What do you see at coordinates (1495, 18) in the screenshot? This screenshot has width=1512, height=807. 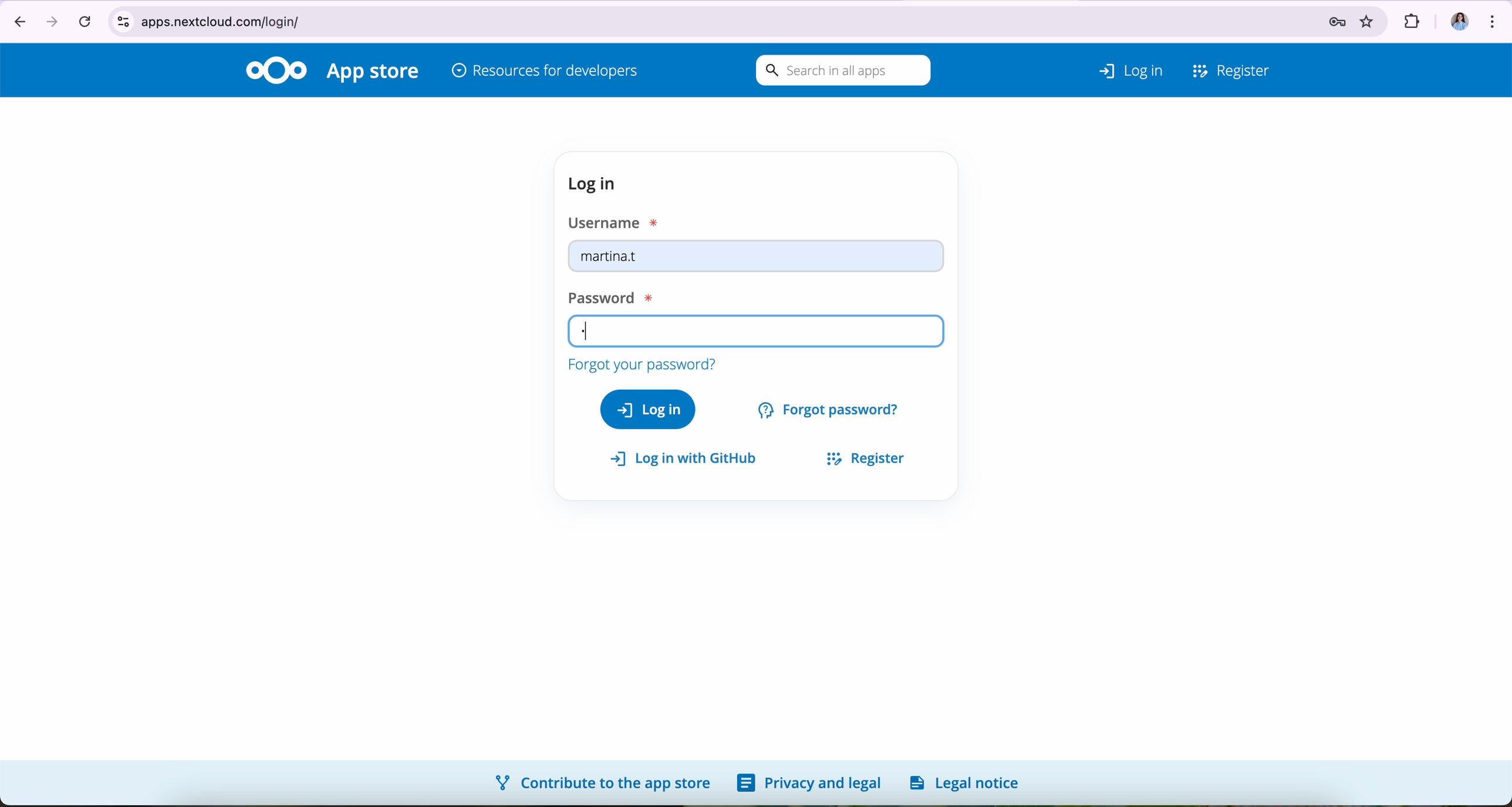 I see `more` at bounding box center [1495, 18].